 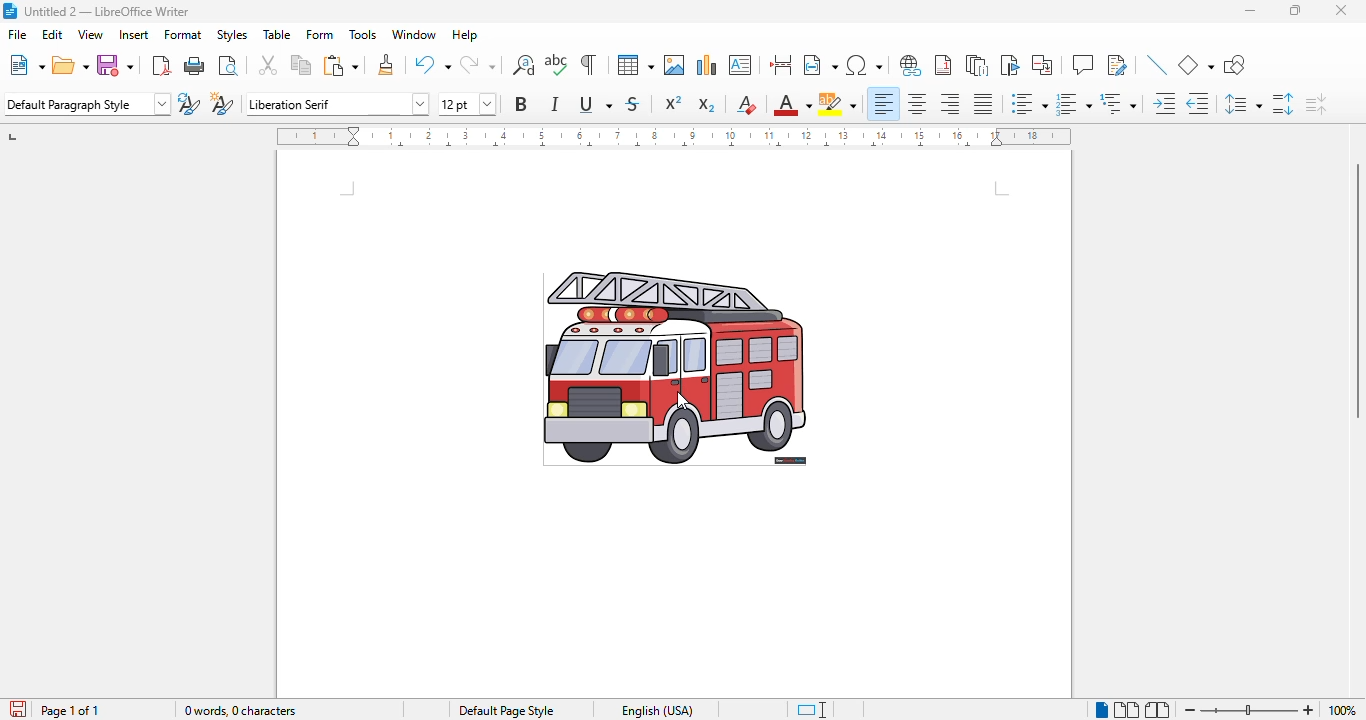 I want to click on find and replace, so click(x=524, y=65).